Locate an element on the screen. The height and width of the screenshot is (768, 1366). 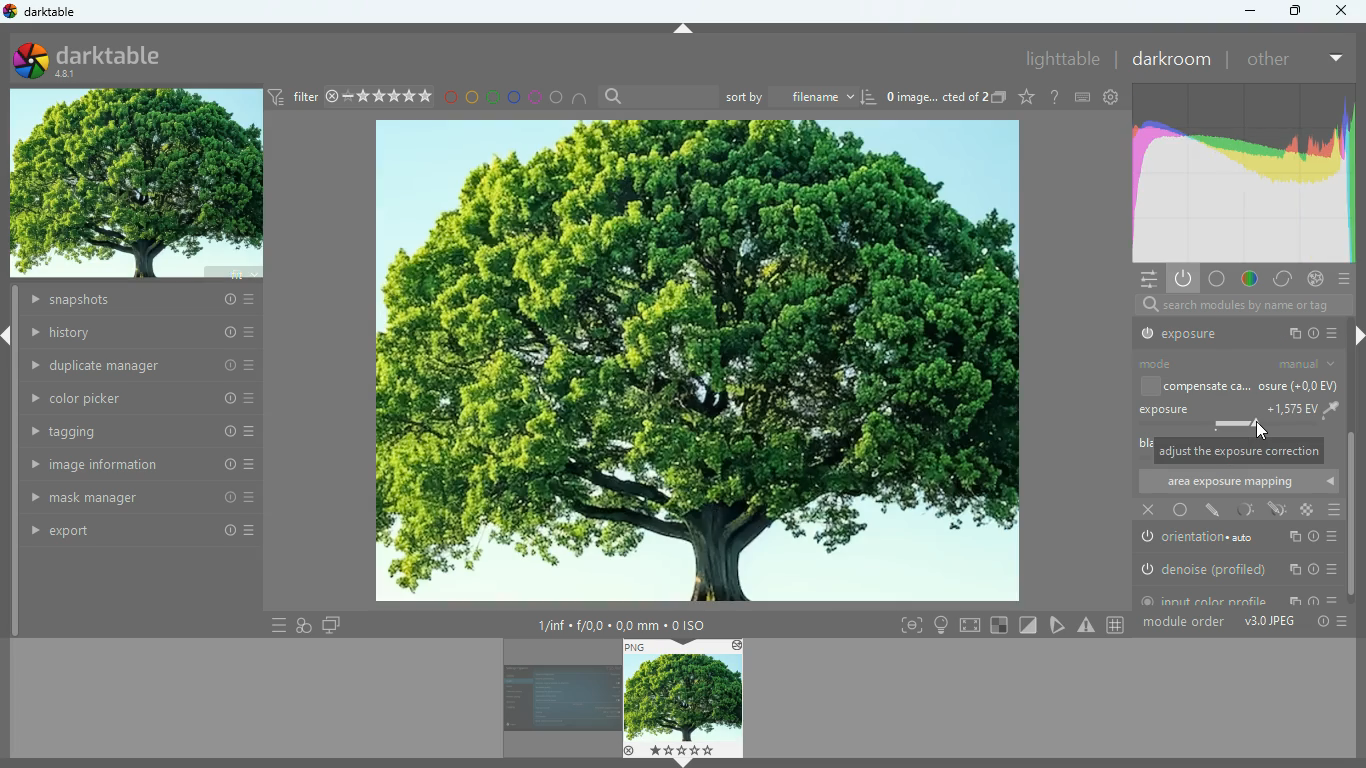
light is located at coordinates (1246, 510).